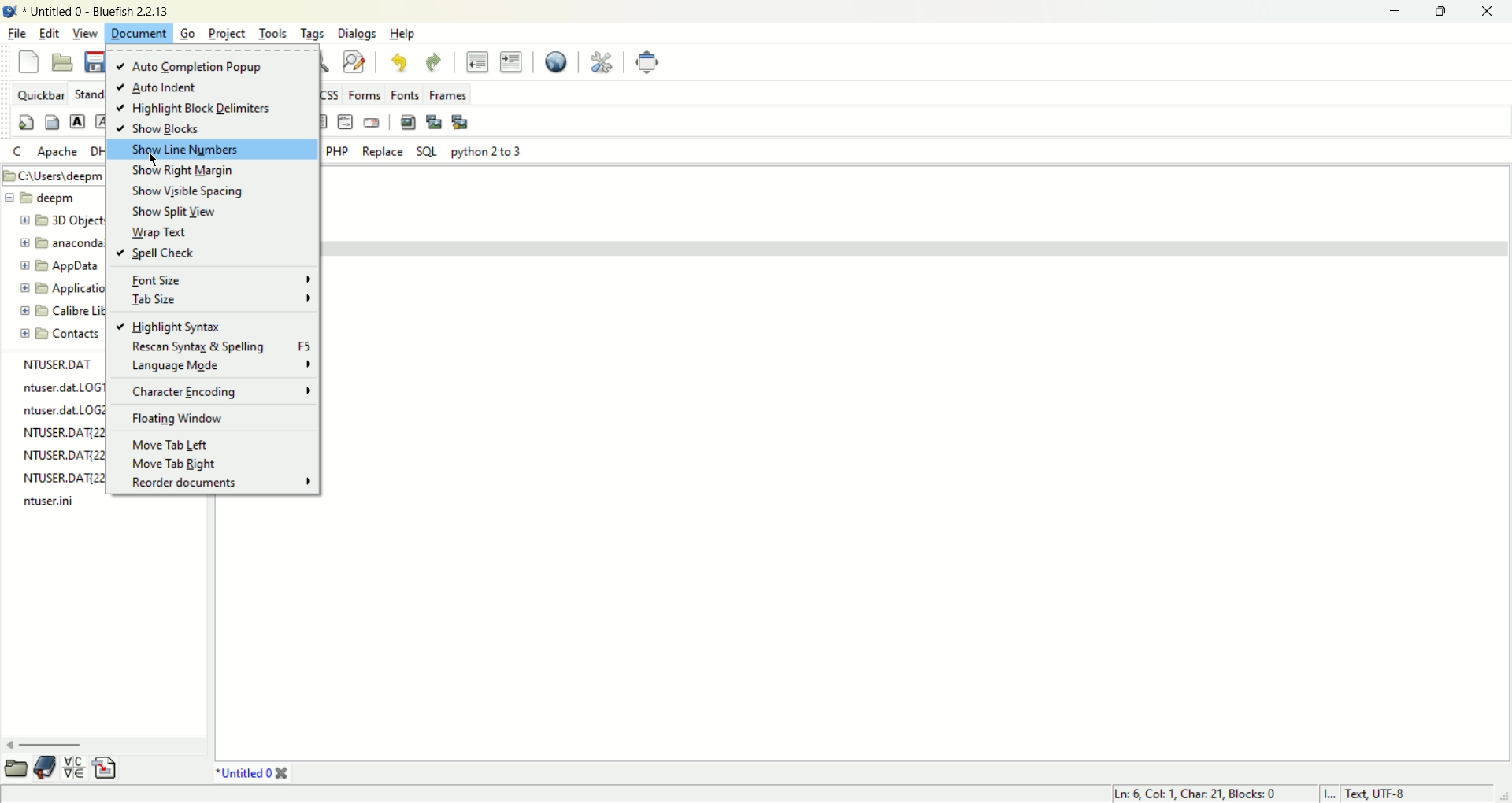 The image size is (1512, 803). I want to click on minimize, so click(1396, 11).